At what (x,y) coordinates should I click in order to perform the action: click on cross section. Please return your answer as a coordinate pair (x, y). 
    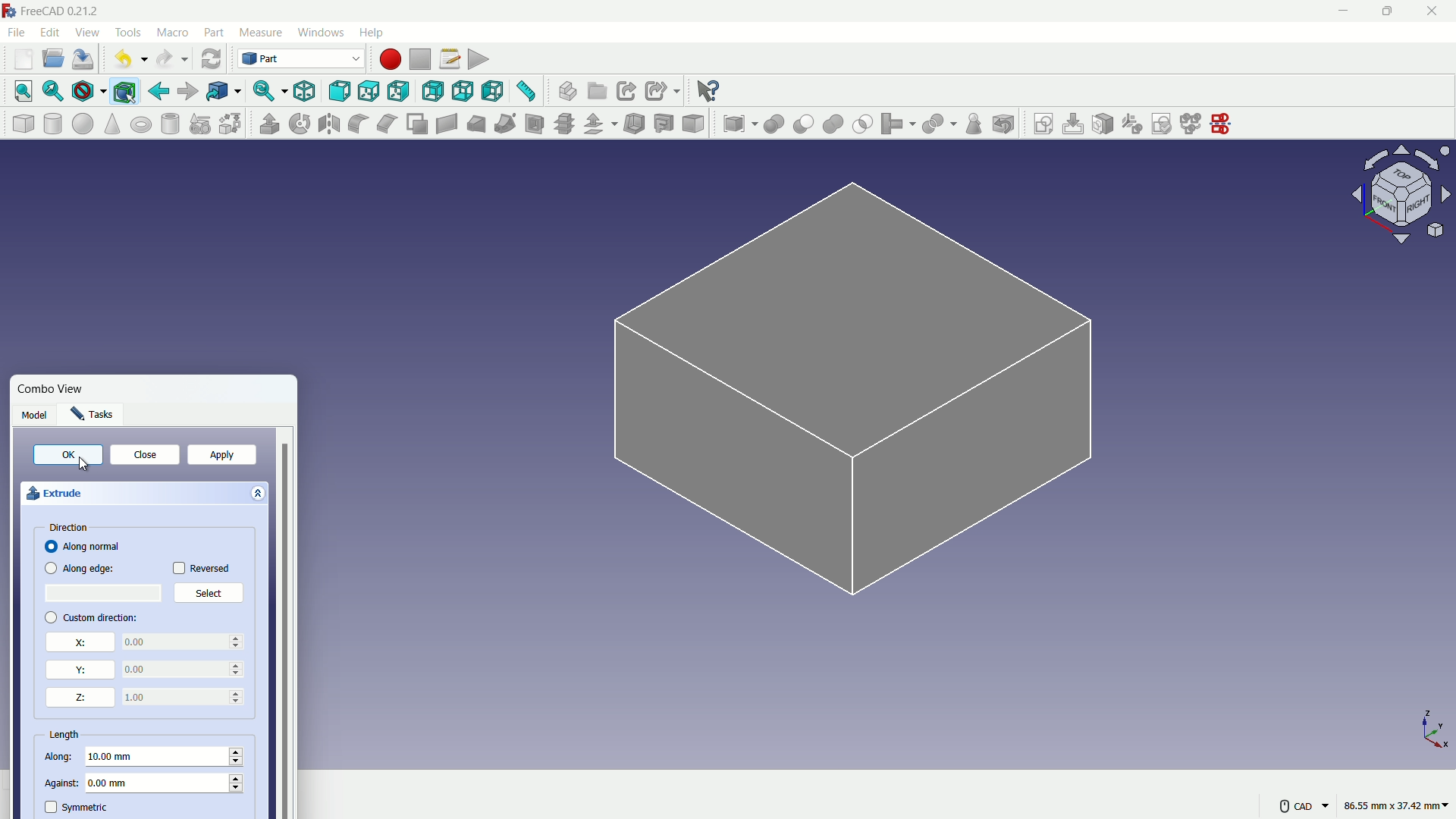
    Looking at the image, I should click on (567, 123).